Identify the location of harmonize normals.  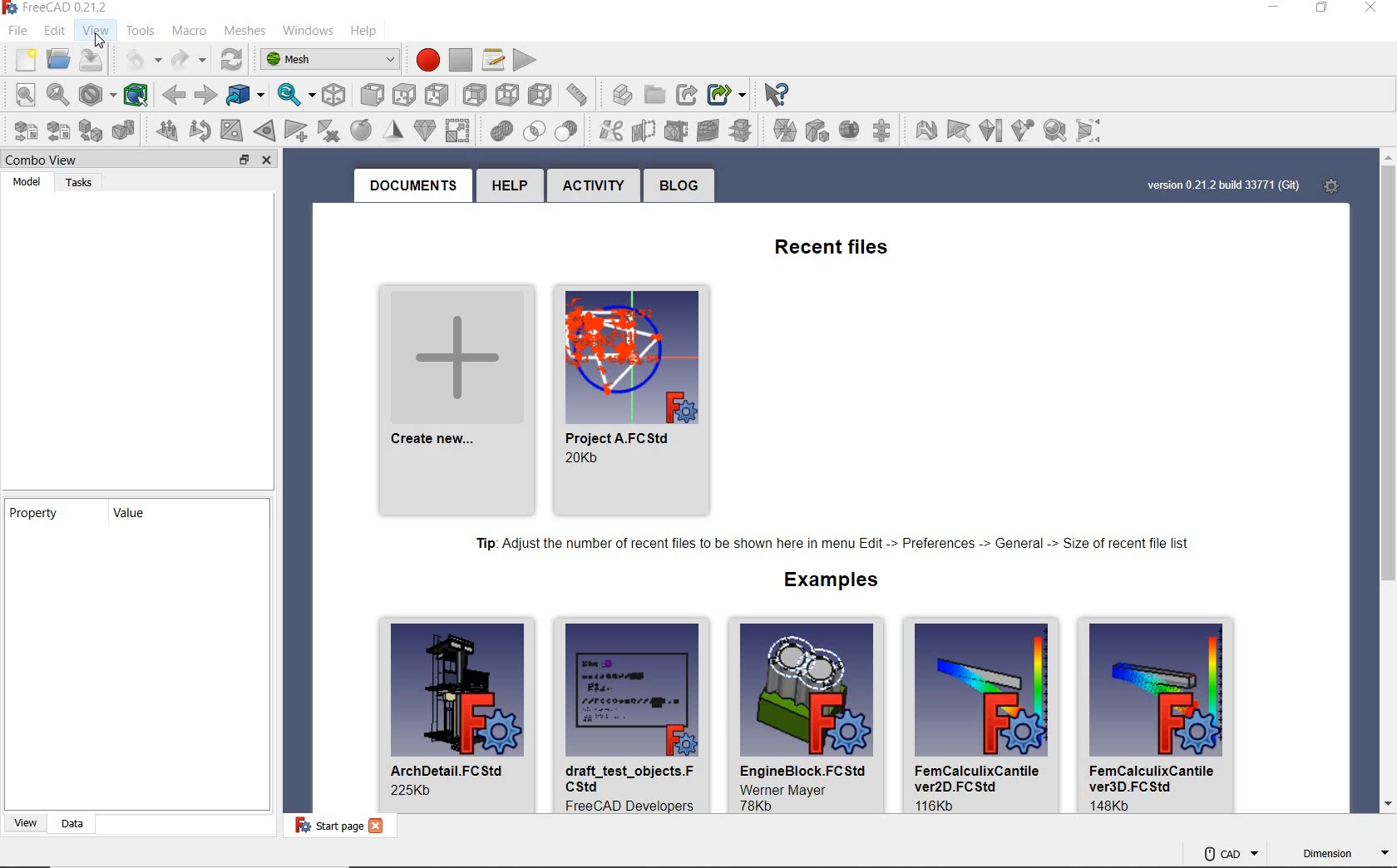
(161, 128).